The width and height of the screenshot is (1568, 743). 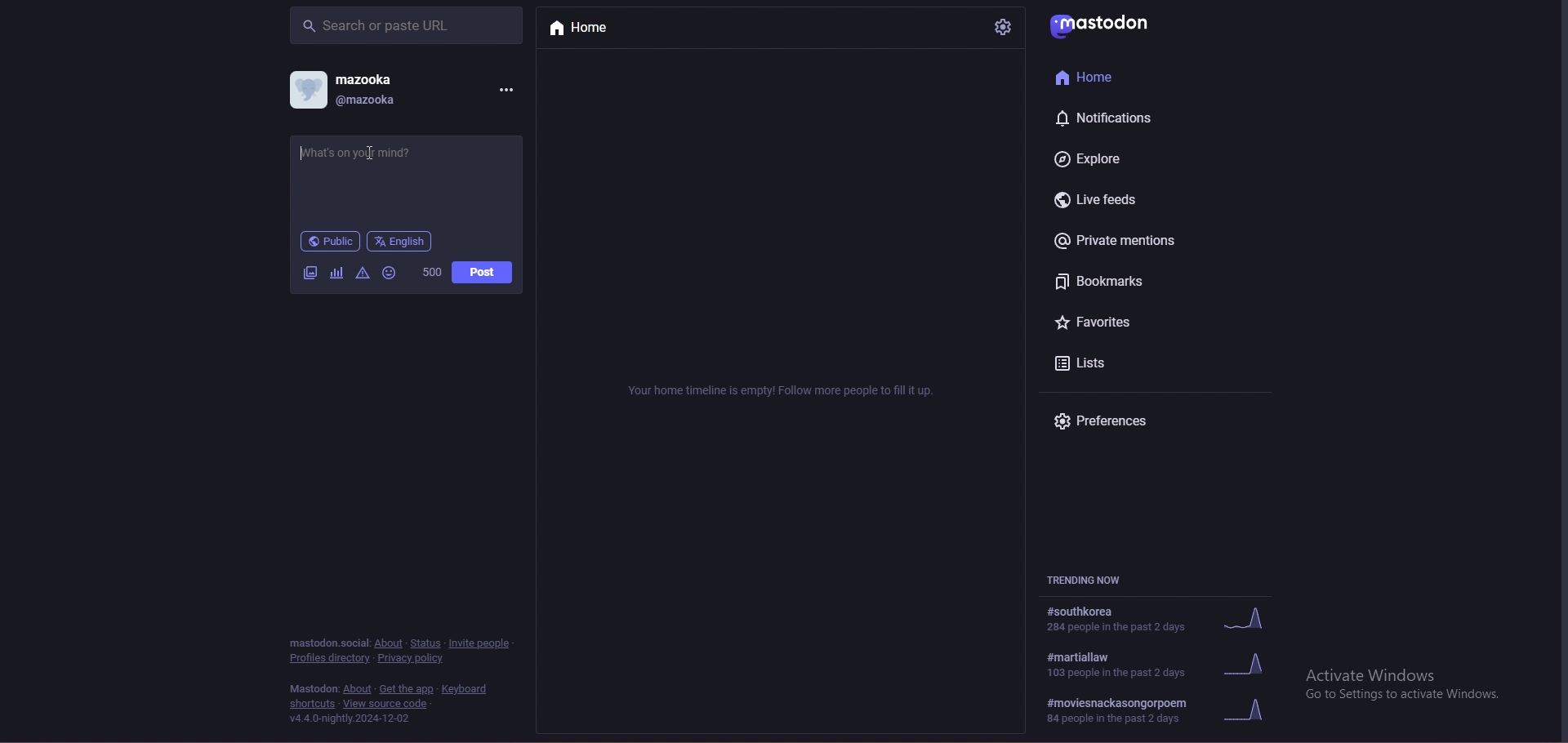 What do you see at coordinates (1156, 666) in the screenshot?
I see `trending` at bounding box center [1156, 666].